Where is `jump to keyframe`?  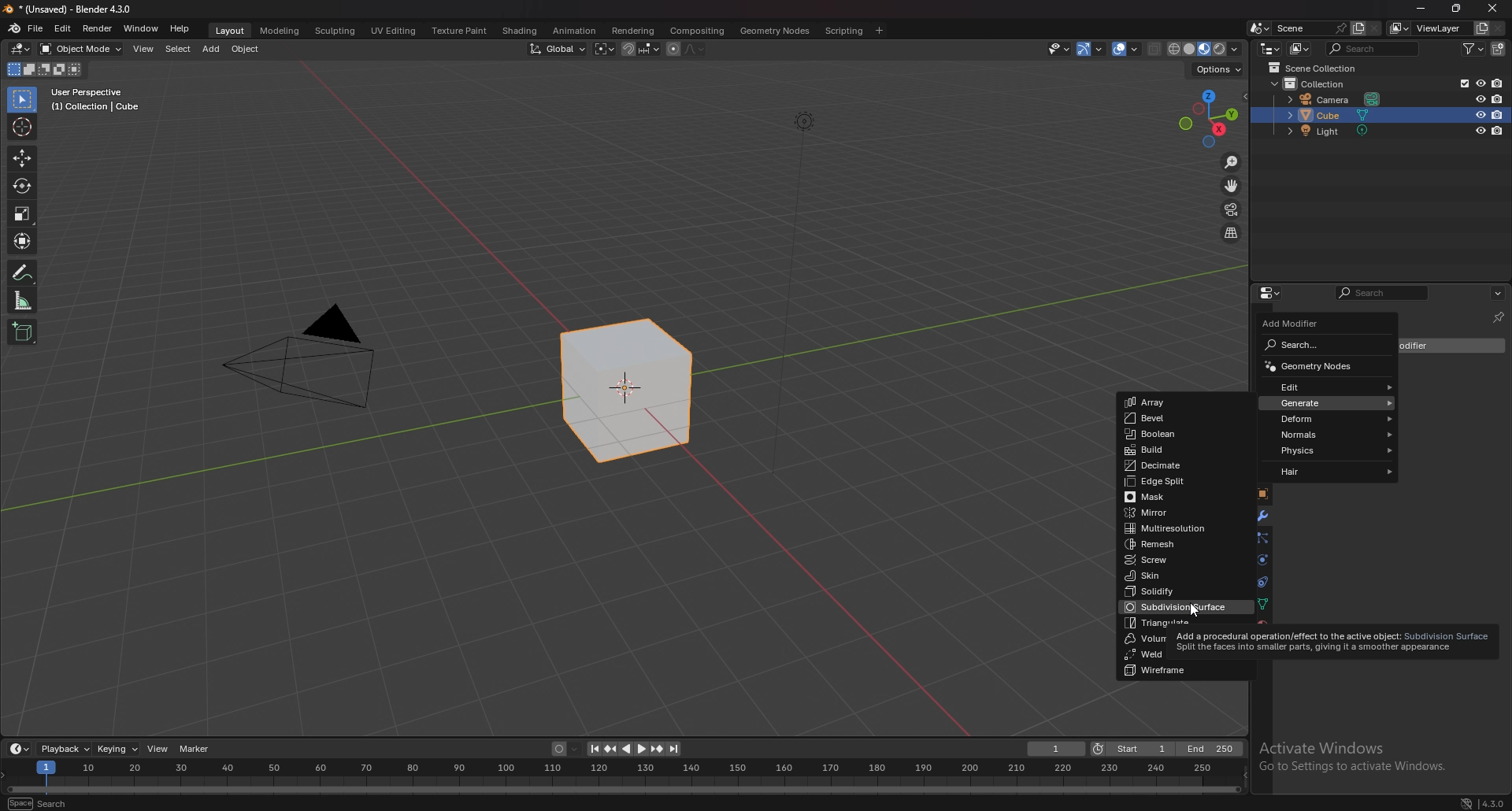 jump to keyframe is located at coordinates (610, 749).